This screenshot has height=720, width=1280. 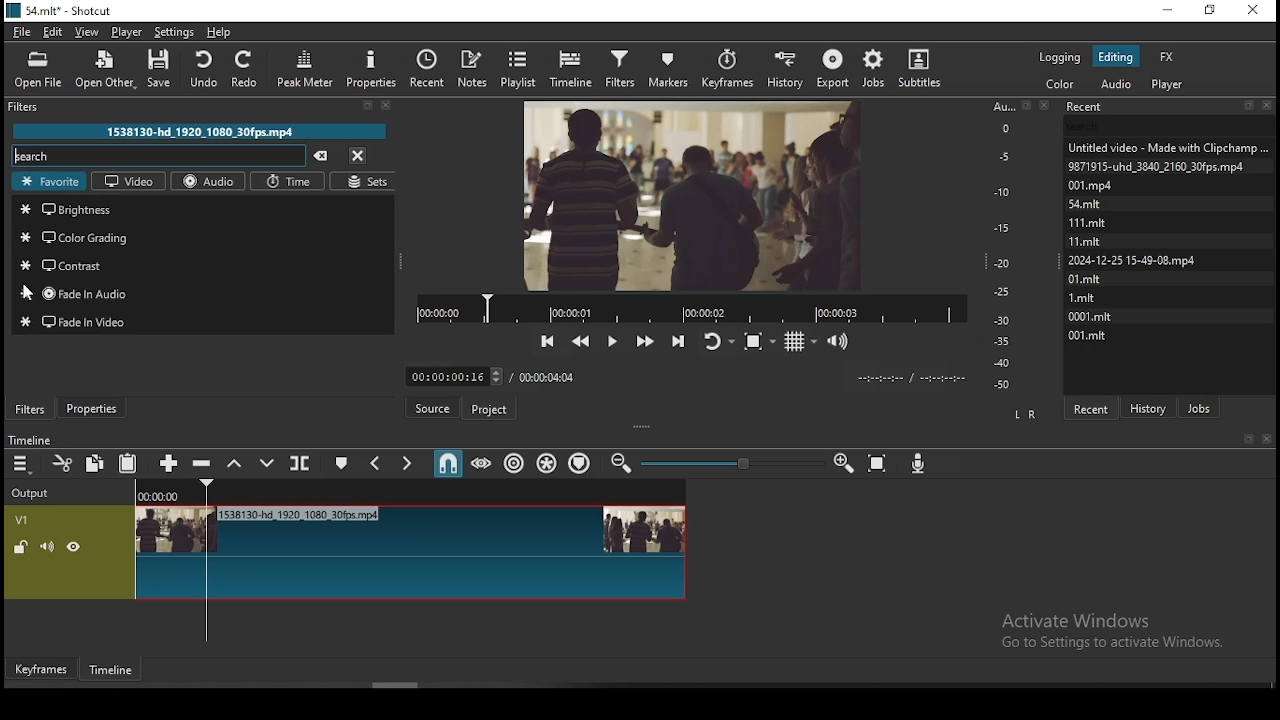 I want to click on scrub while dragging, so click(x=483, y=463).